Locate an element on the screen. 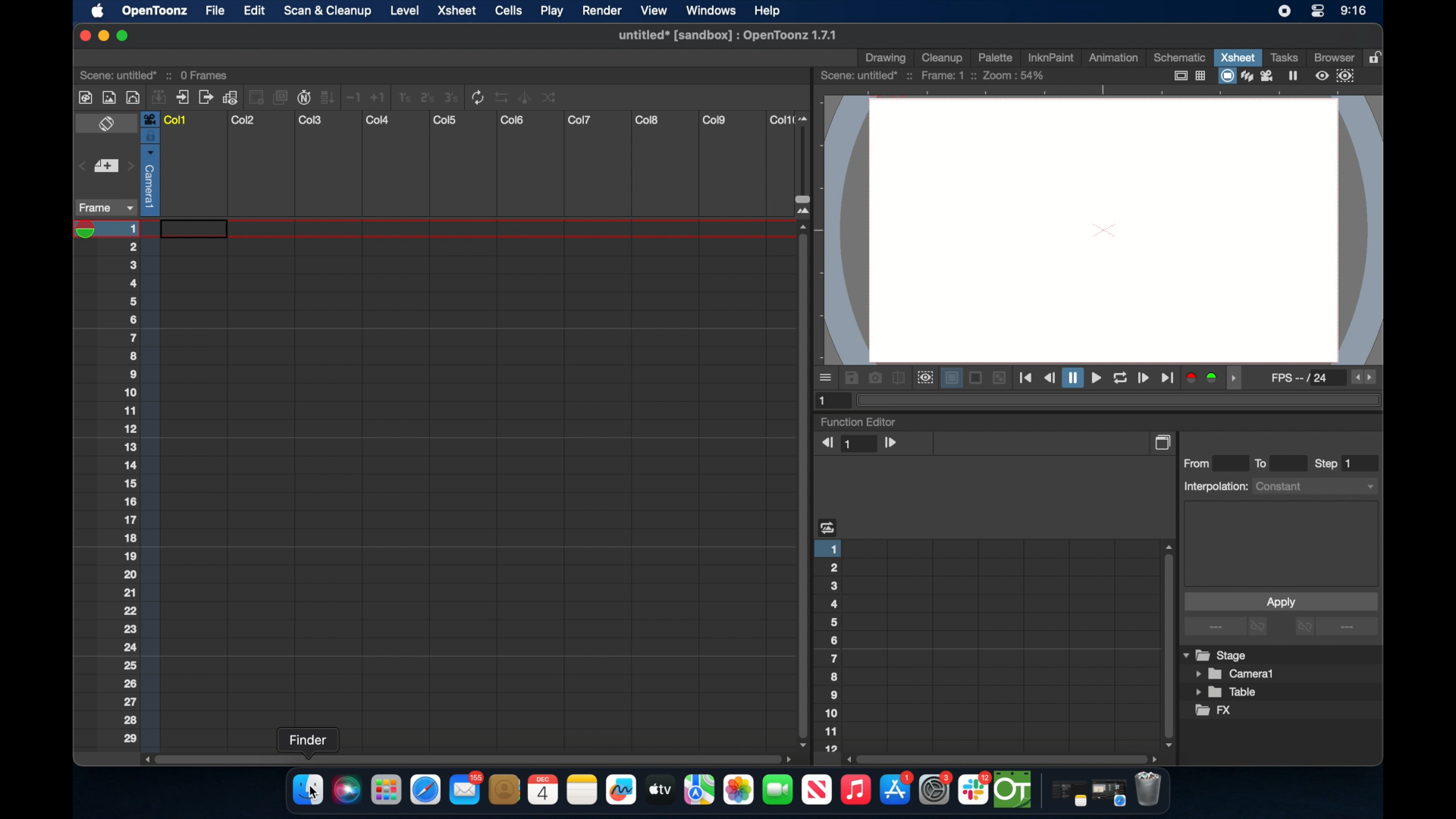 This screenshot has width=1456, height=819. scroll box is located at coordinates (1166, 645).